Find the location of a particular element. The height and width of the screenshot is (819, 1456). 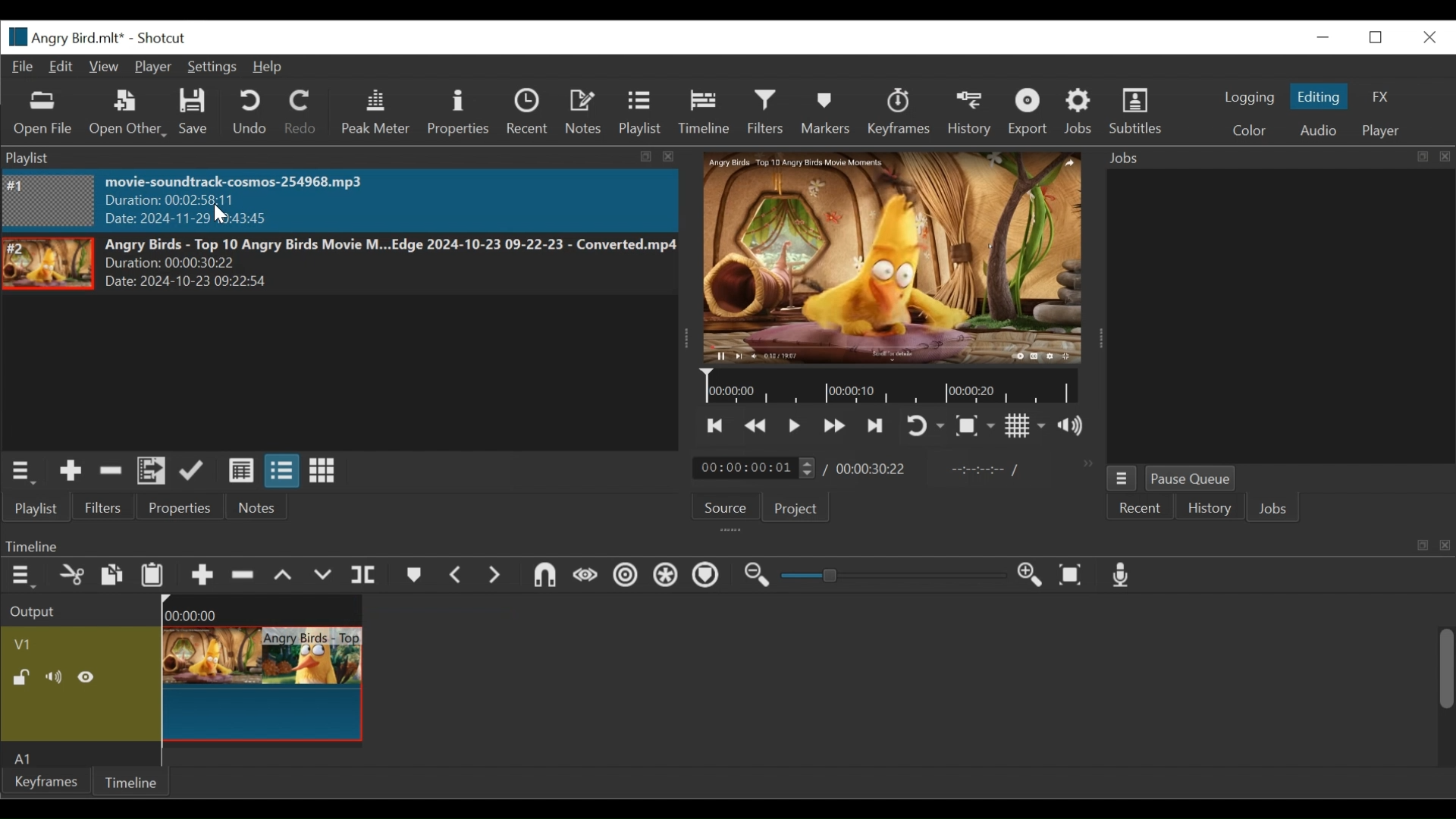

Markers is located at coordinates (826, 112).